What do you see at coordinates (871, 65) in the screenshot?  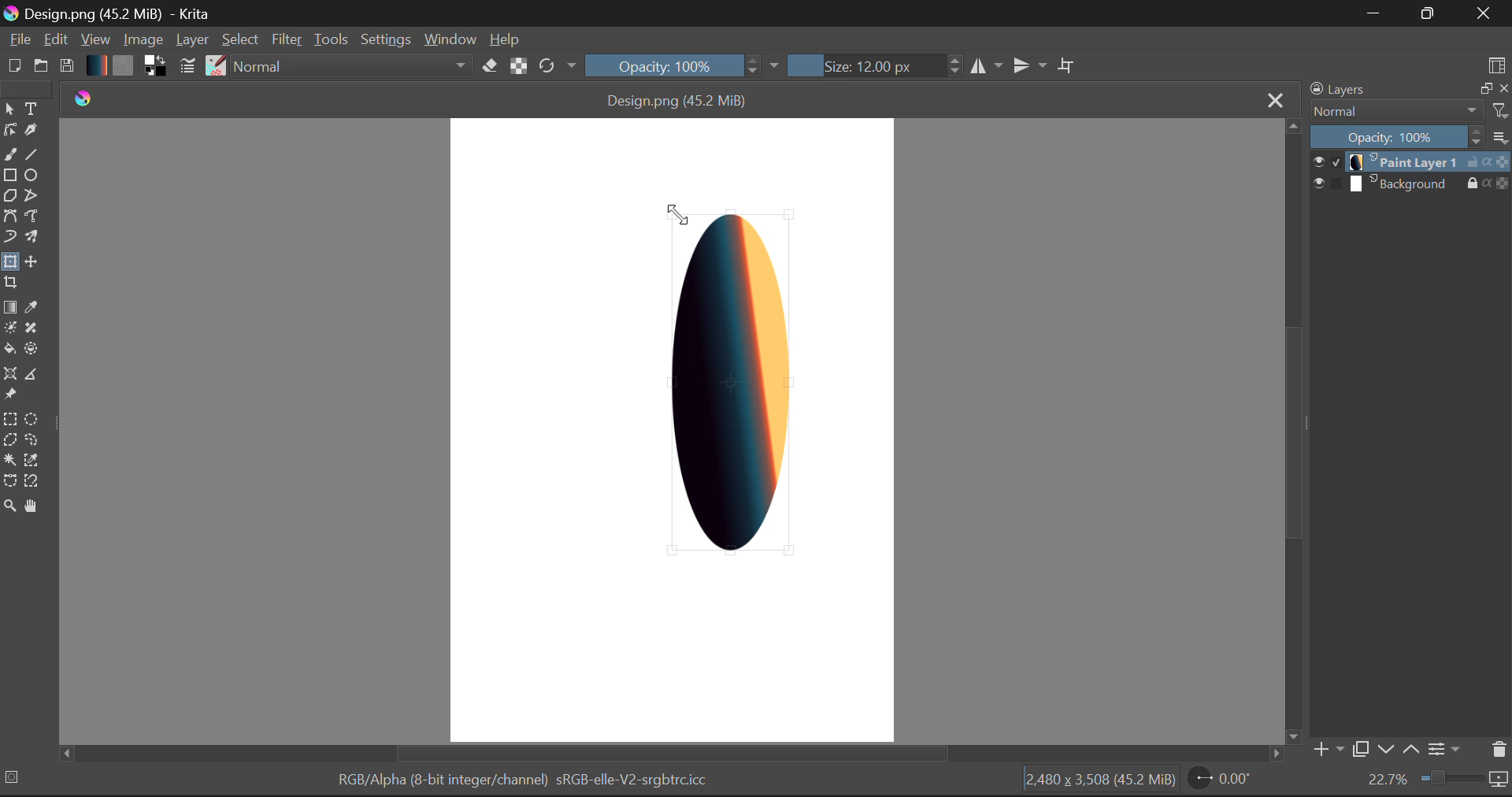 I see `Brush Size` at bounding box center [871, 65].